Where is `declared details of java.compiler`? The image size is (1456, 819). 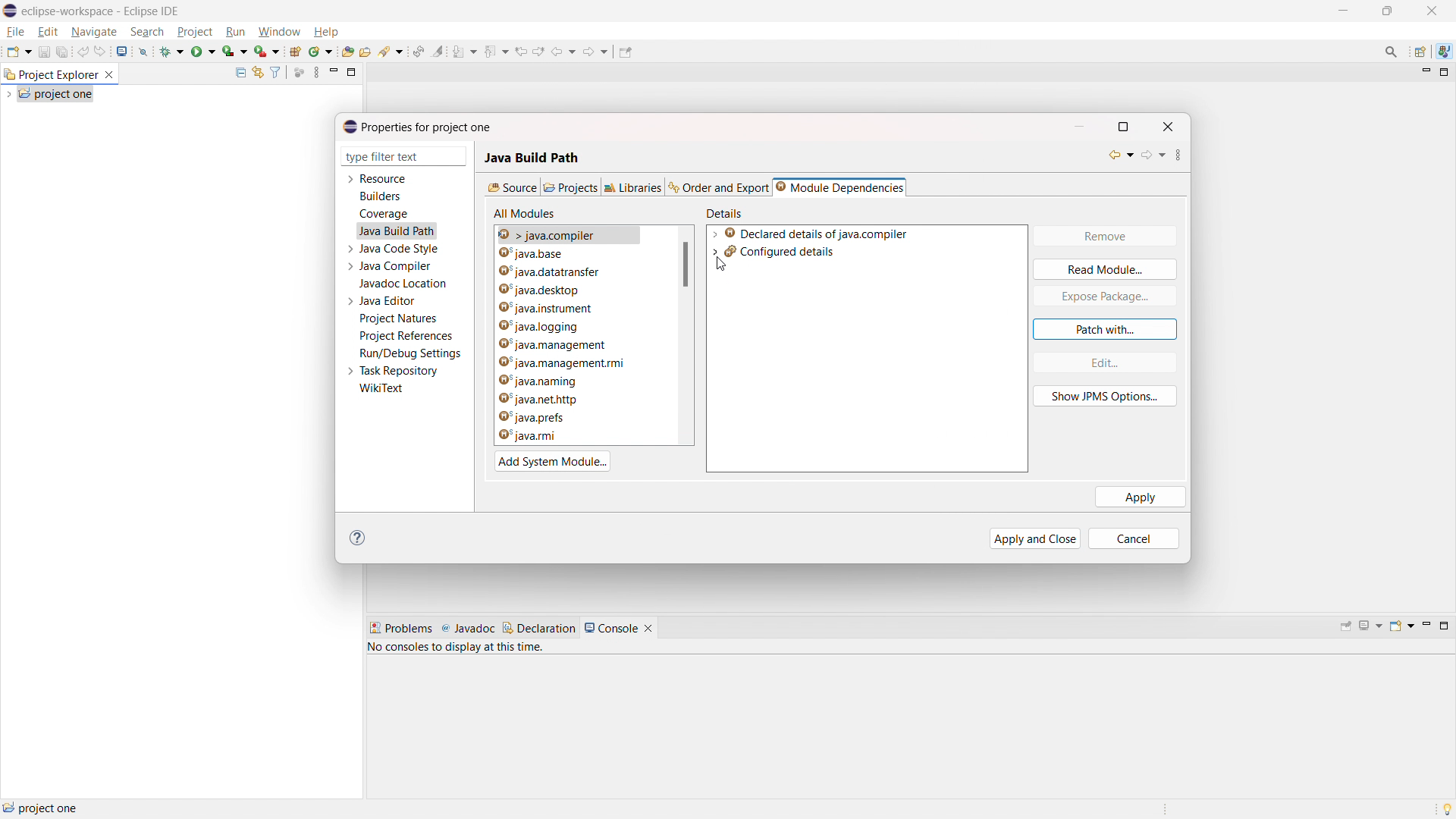 declared details of java.compiler is located at coordinates (816, 234).